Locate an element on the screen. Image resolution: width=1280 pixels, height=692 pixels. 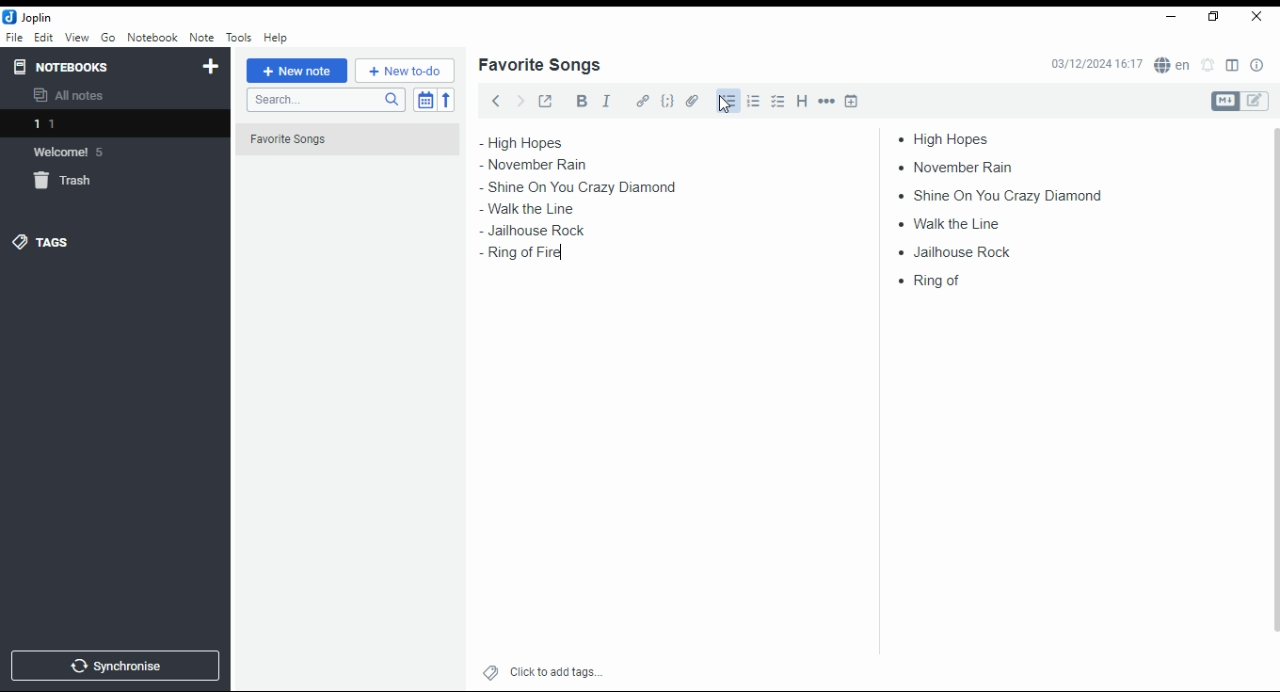
edit is located at coordinates (43, 36).